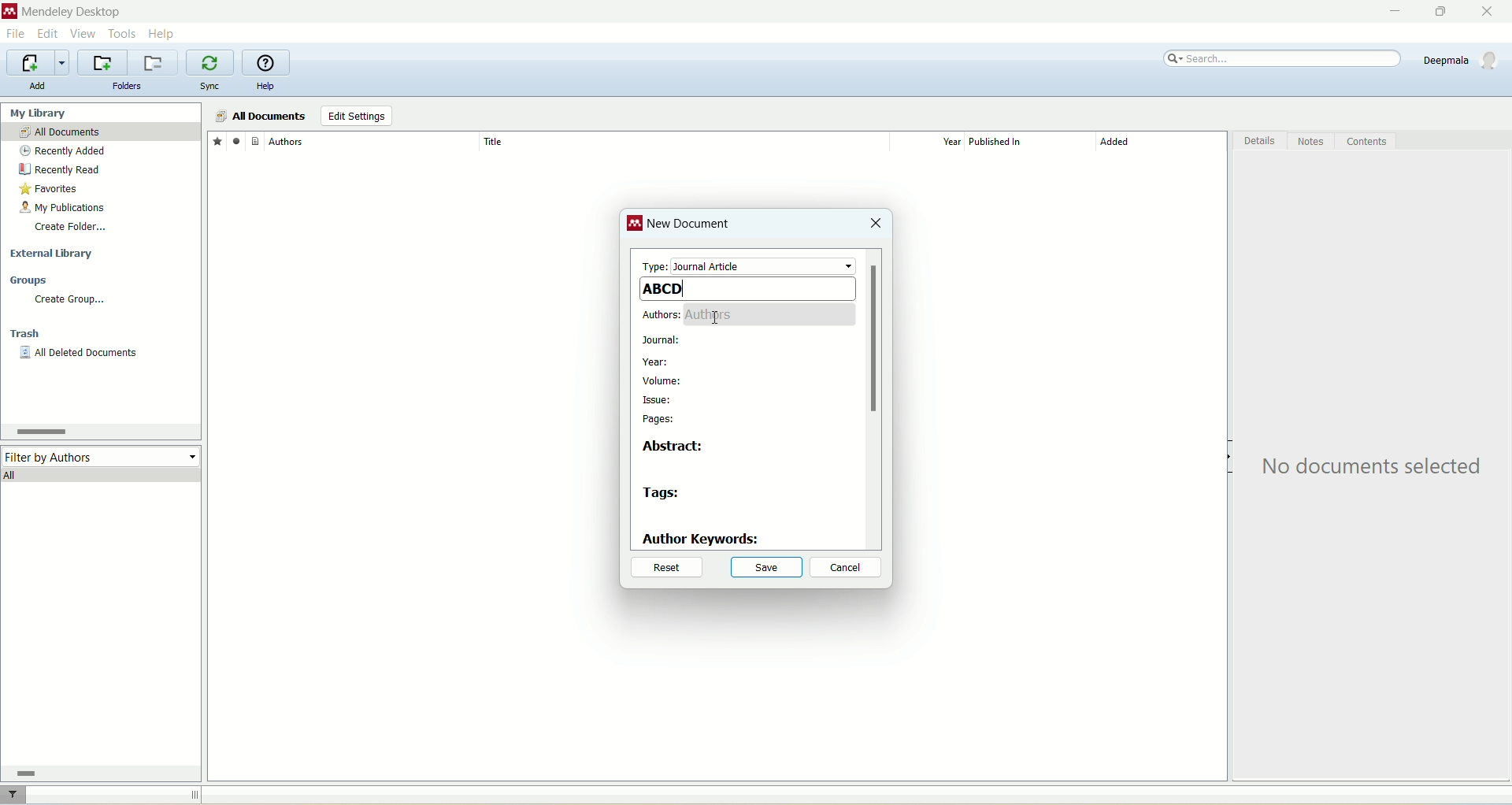  Describe the element at coordinates (873, 398) in the screenshot. I see `vertical scroll bar` at that location.